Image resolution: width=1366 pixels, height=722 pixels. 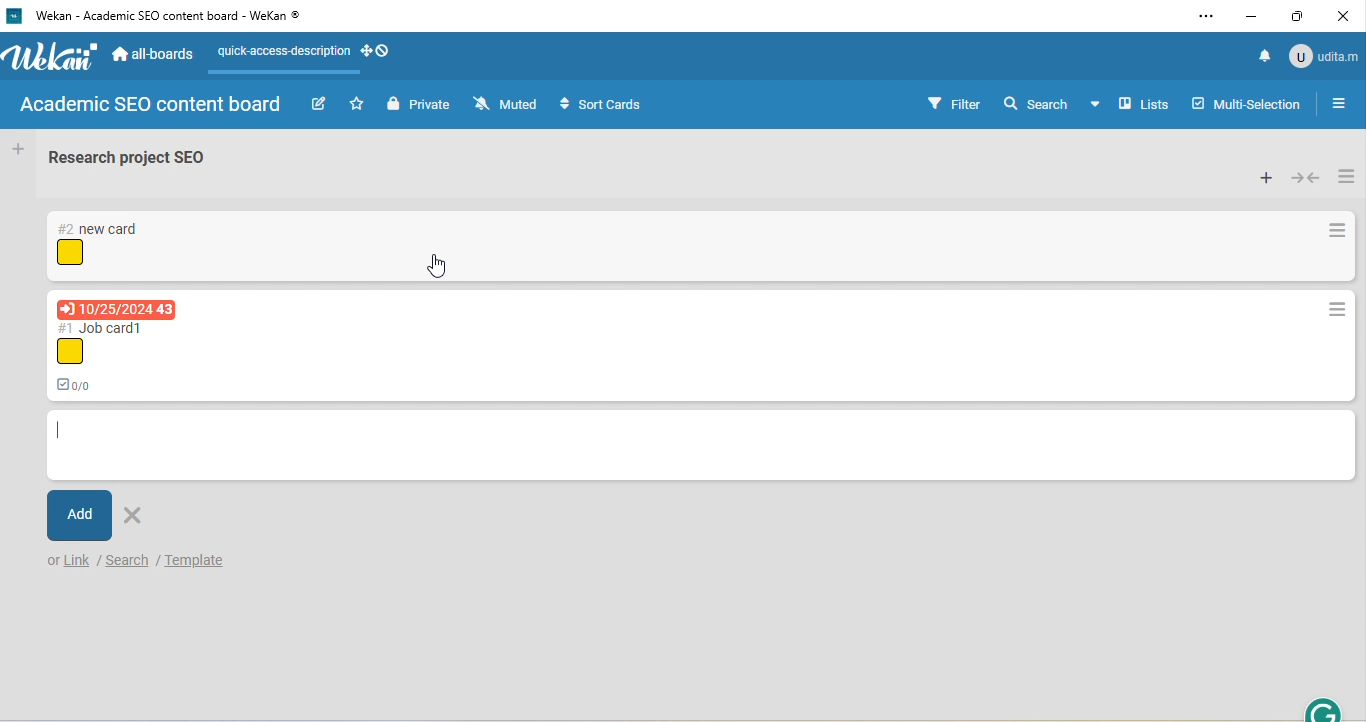 What do you see at coordinates (117, 310) in the screenshot?
I see `due date` at bounding box center [117, 310].